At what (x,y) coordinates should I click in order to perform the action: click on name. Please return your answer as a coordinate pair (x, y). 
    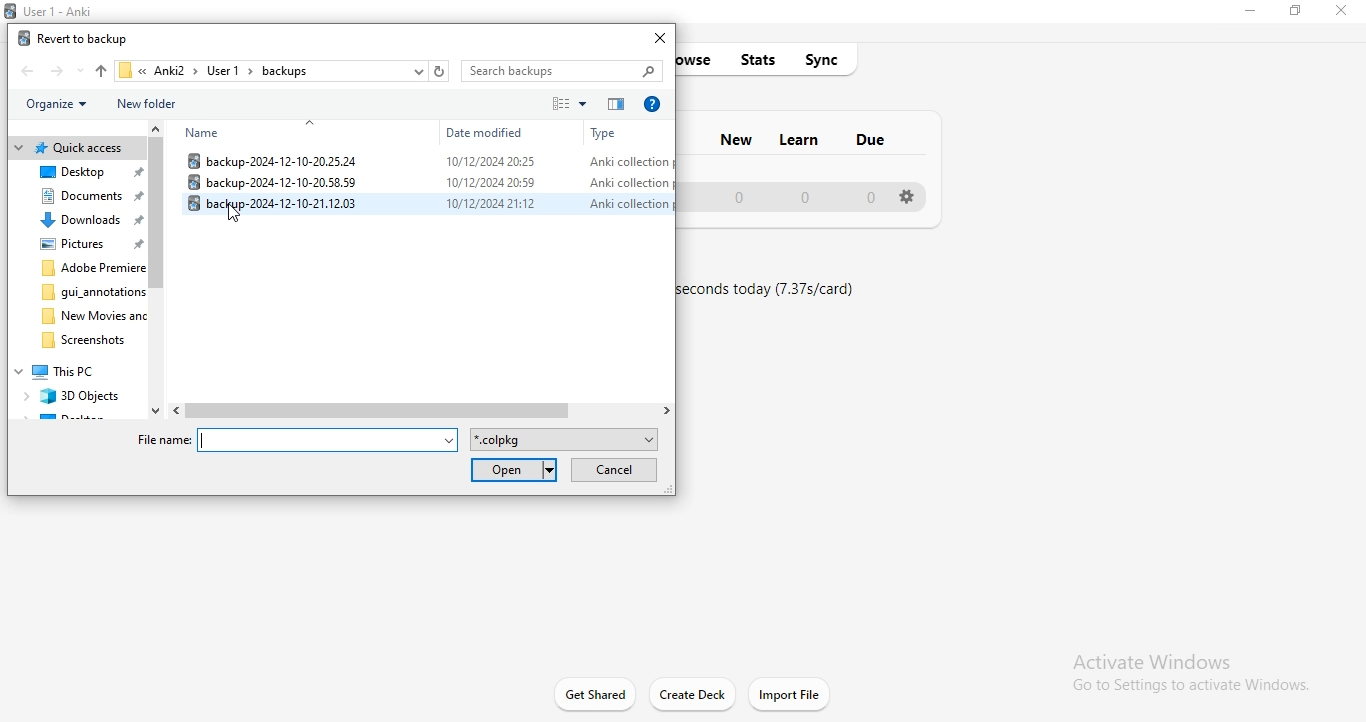
    Looking at the image, I should click on (209, 134).